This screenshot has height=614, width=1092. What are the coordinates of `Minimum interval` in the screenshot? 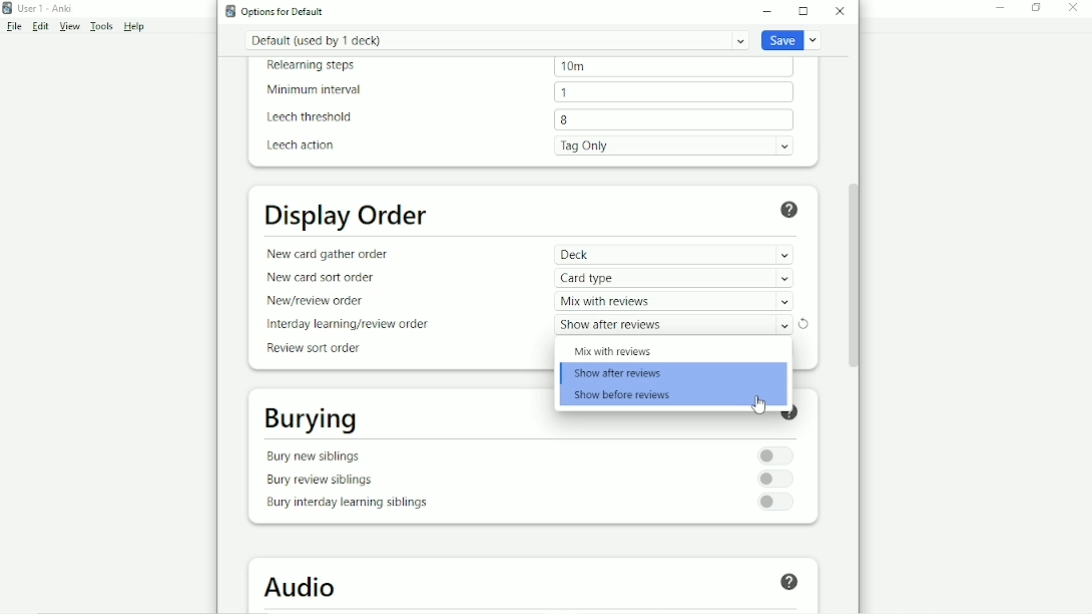 It's located at (313, 90).